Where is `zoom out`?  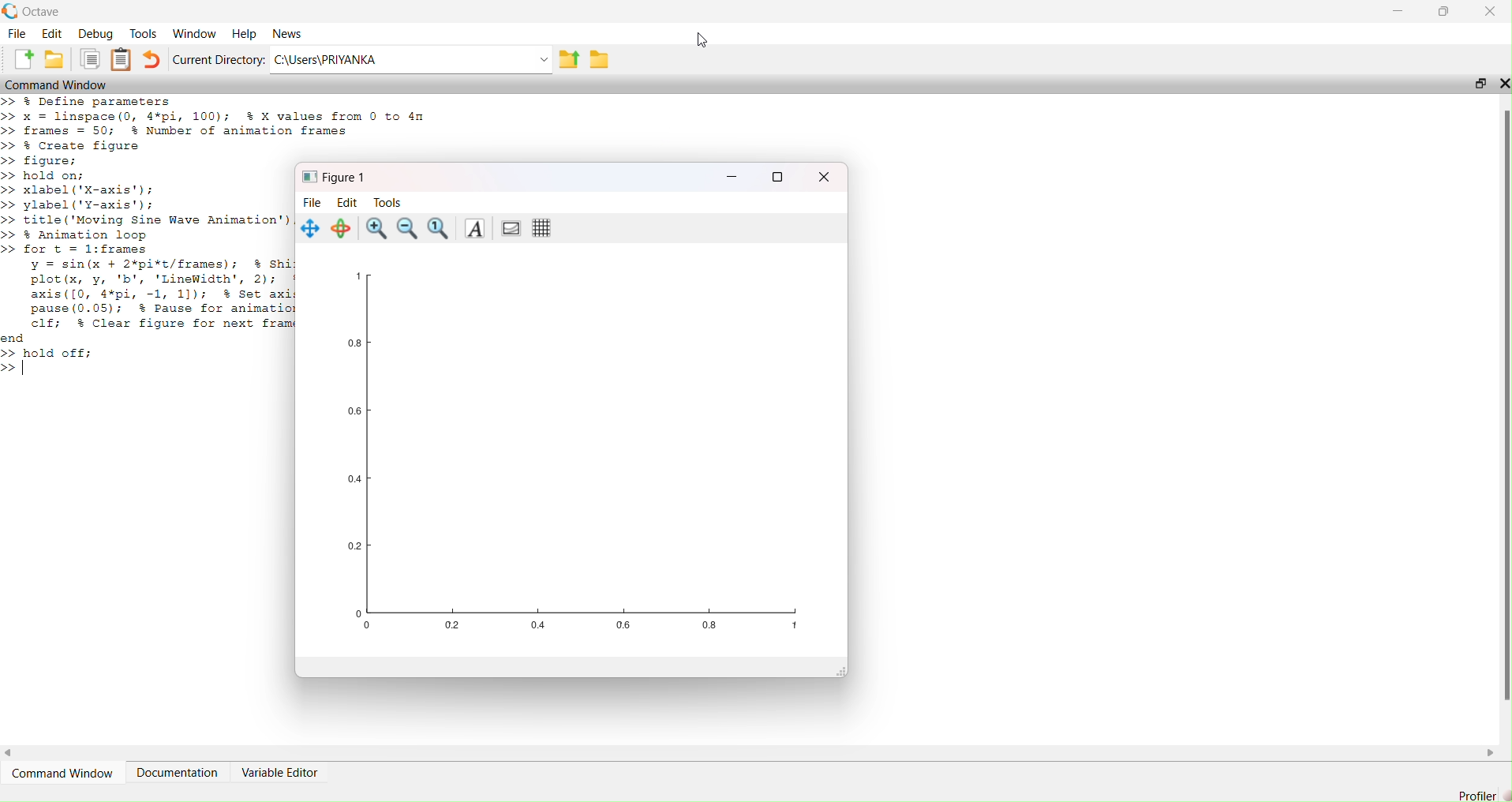
zoom out is located at coordinates (408, 228).